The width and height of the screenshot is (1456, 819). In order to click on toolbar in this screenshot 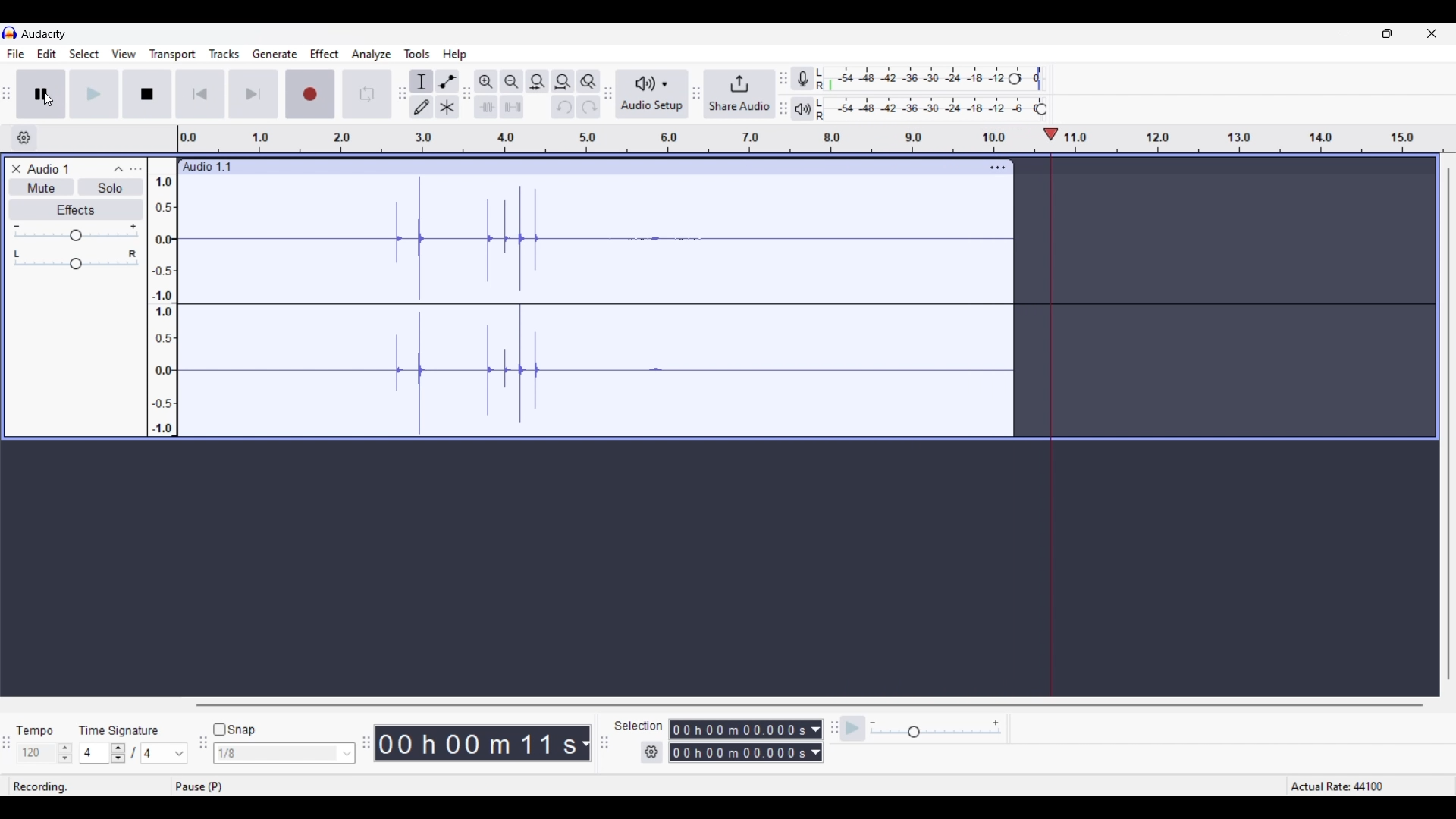, I will do `click(9, 743)`.